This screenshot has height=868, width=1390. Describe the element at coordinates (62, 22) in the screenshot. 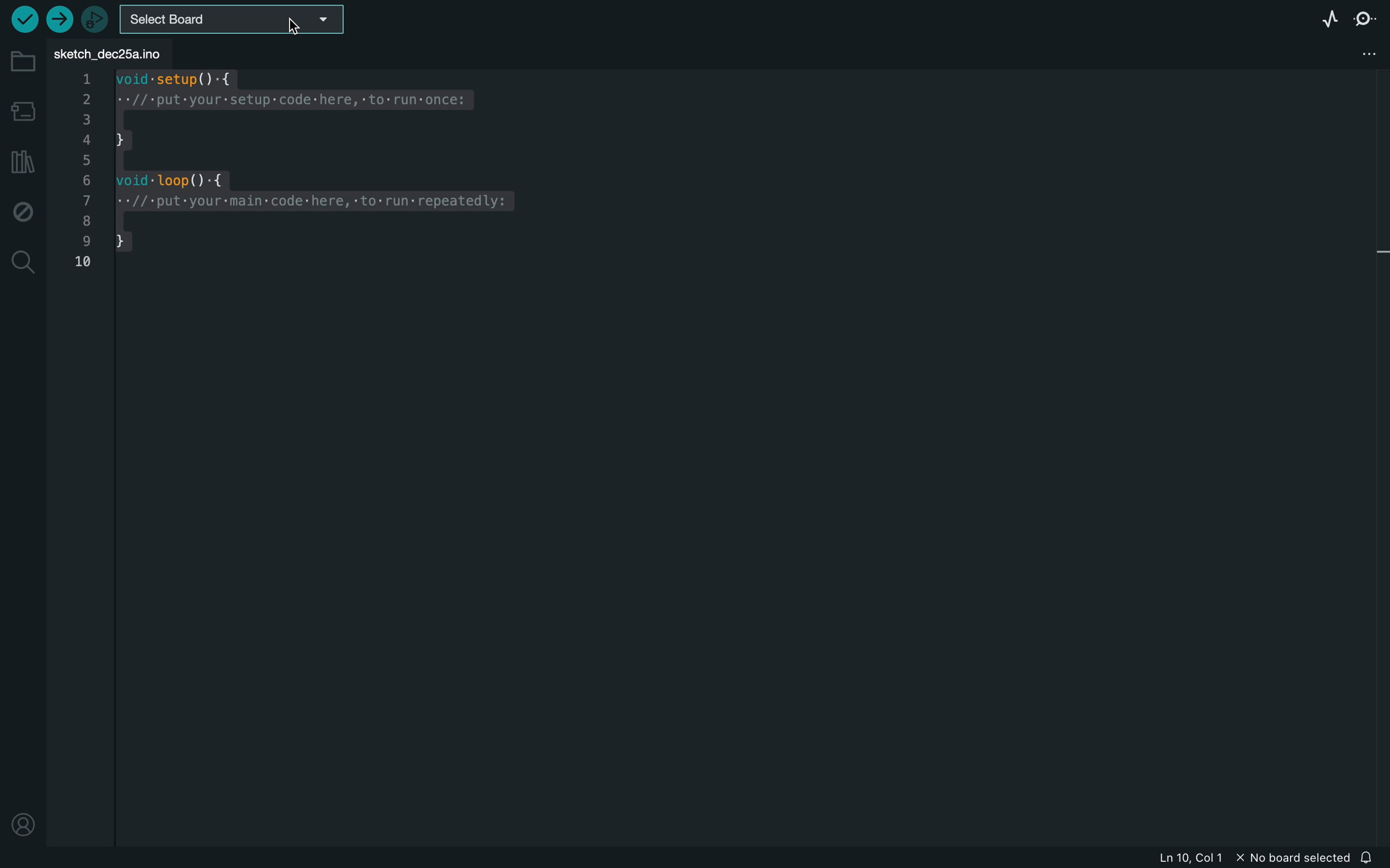

I see `upload` at that location.